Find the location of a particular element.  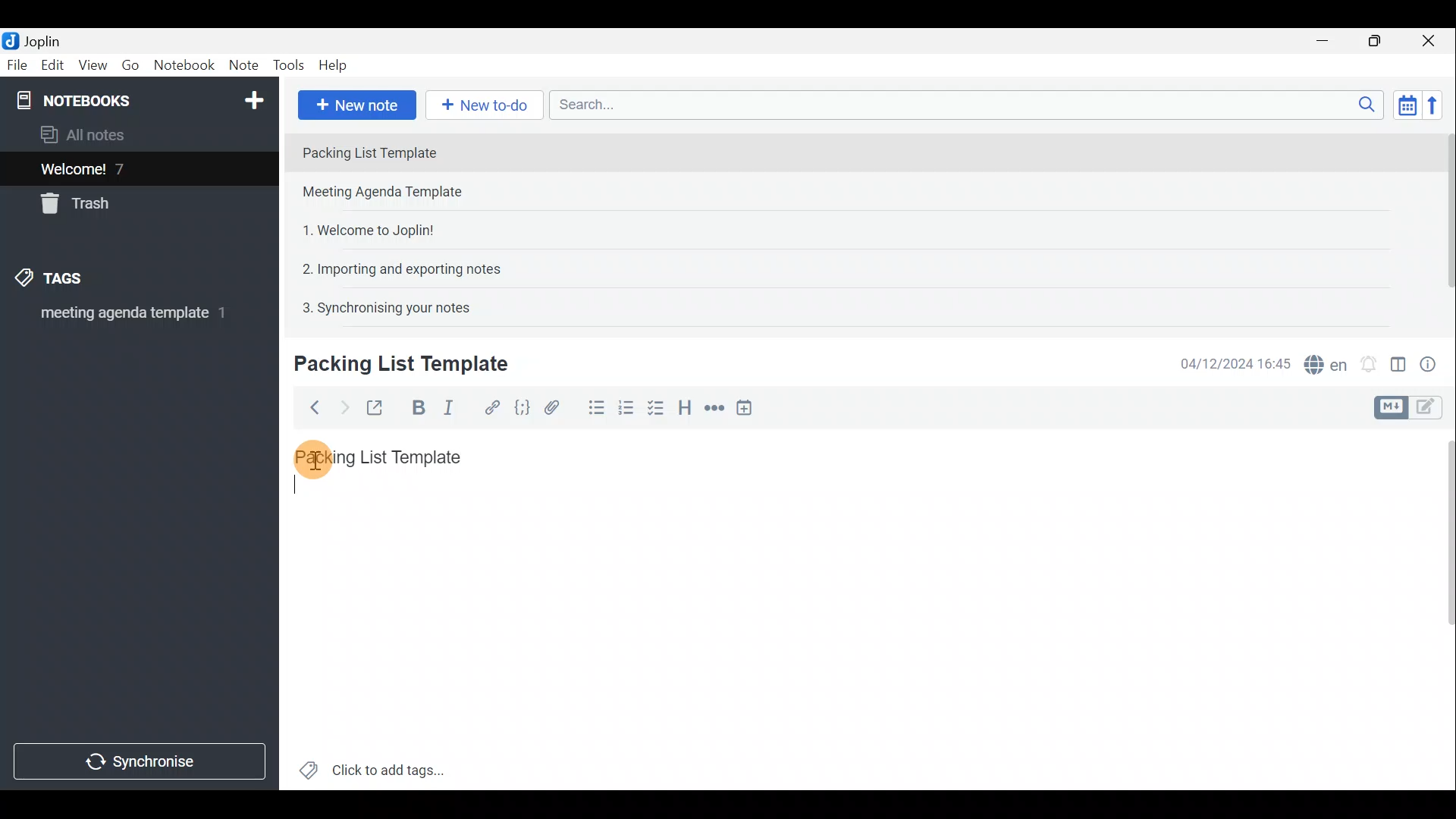

Creating new note is located at coordinates (392, 365).